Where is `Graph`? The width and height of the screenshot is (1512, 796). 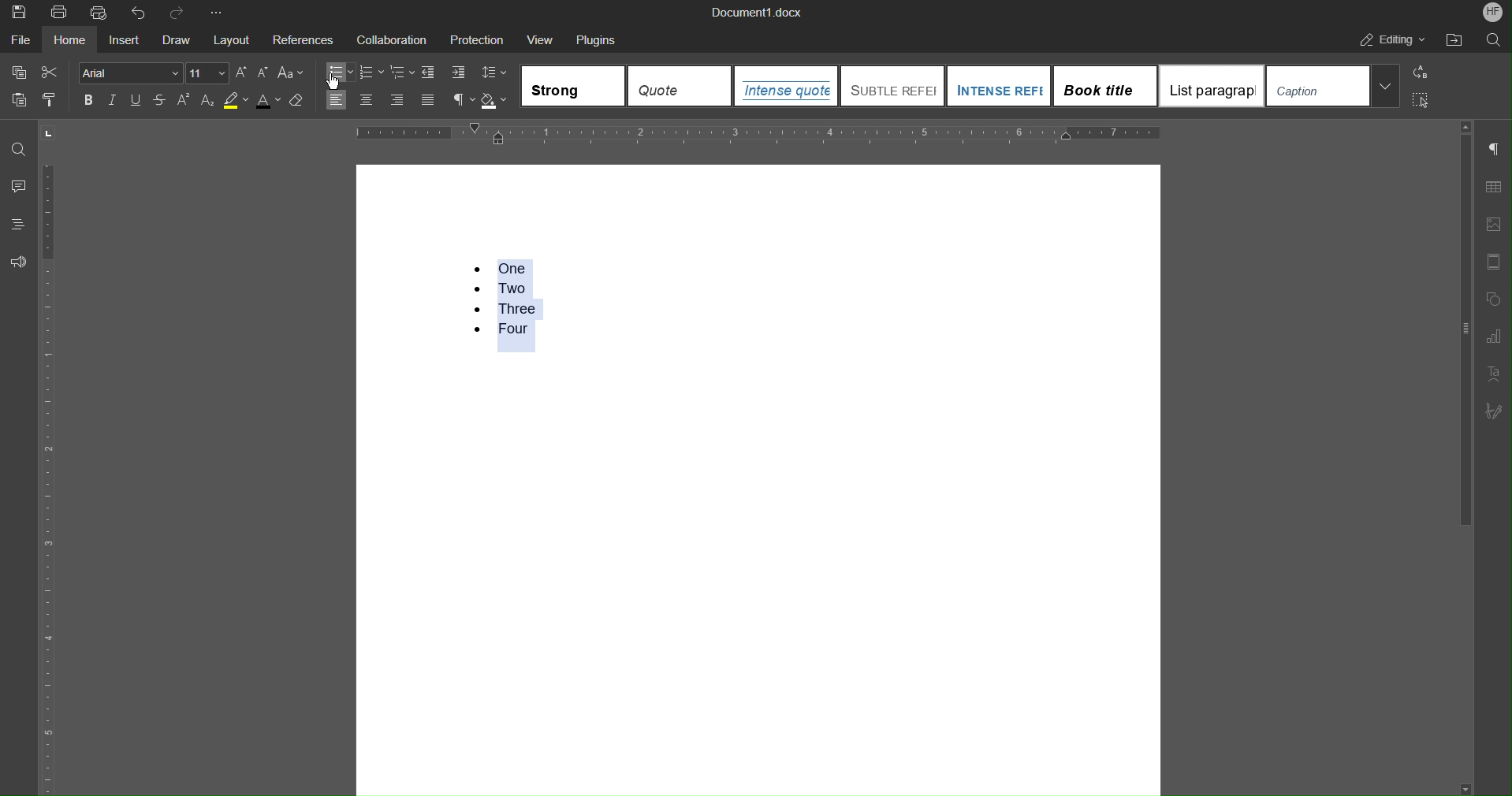 Graph is located at coordinates (1492, 337).